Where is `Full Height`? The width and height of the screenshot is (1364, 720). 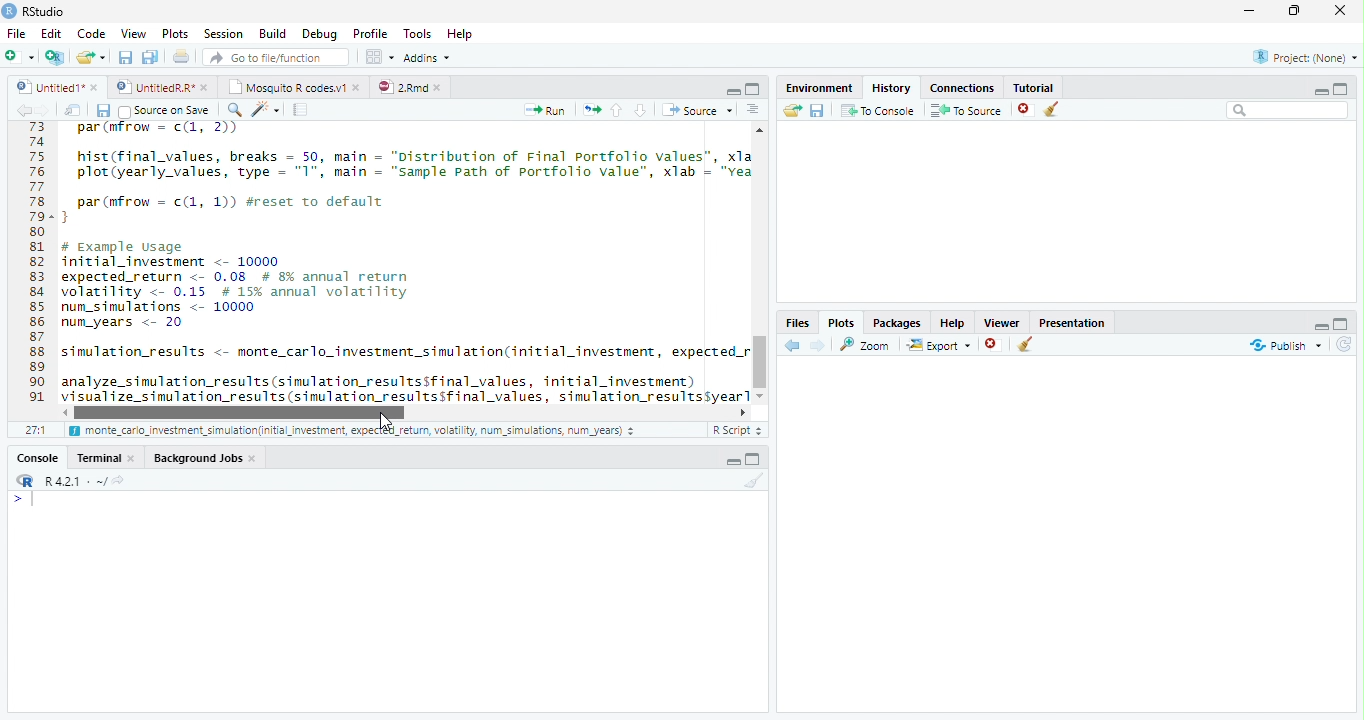 Full Height is located at coordinates (754, 88).